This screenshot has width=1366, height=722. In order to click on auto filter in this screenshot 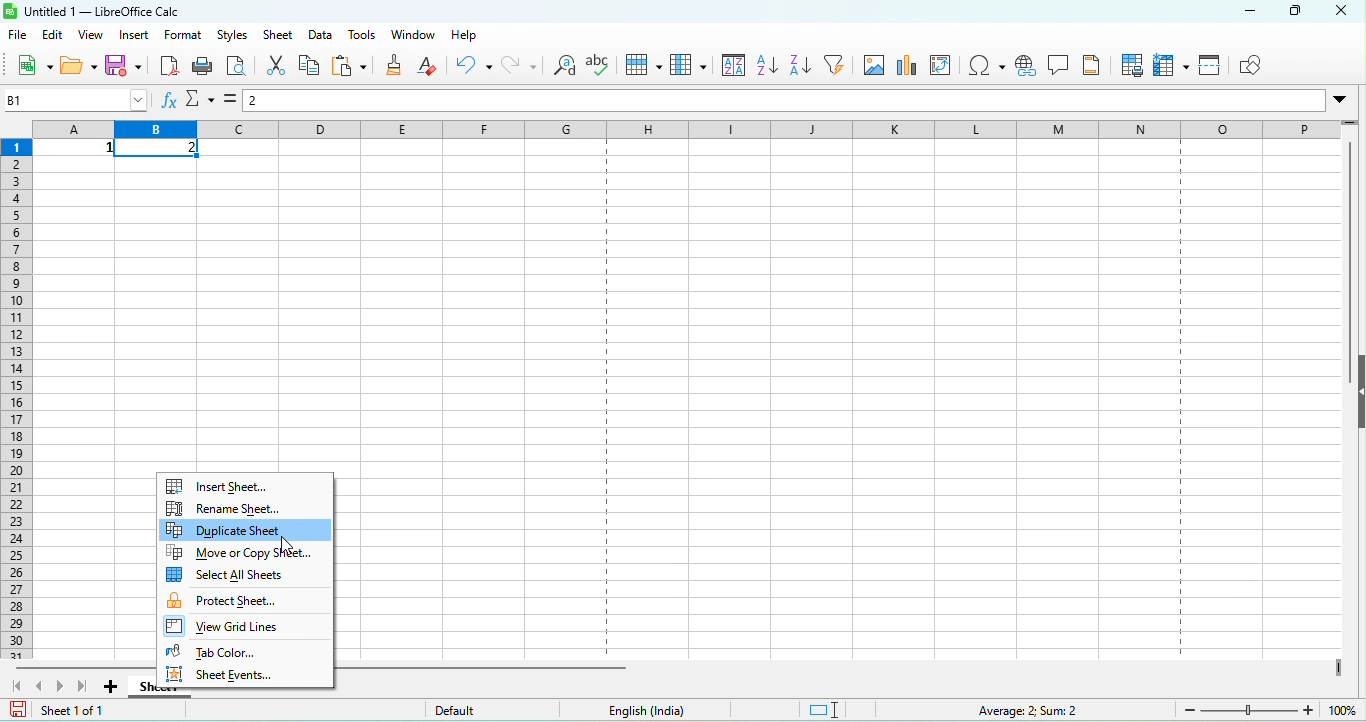, I will do `click(841, 68)`.